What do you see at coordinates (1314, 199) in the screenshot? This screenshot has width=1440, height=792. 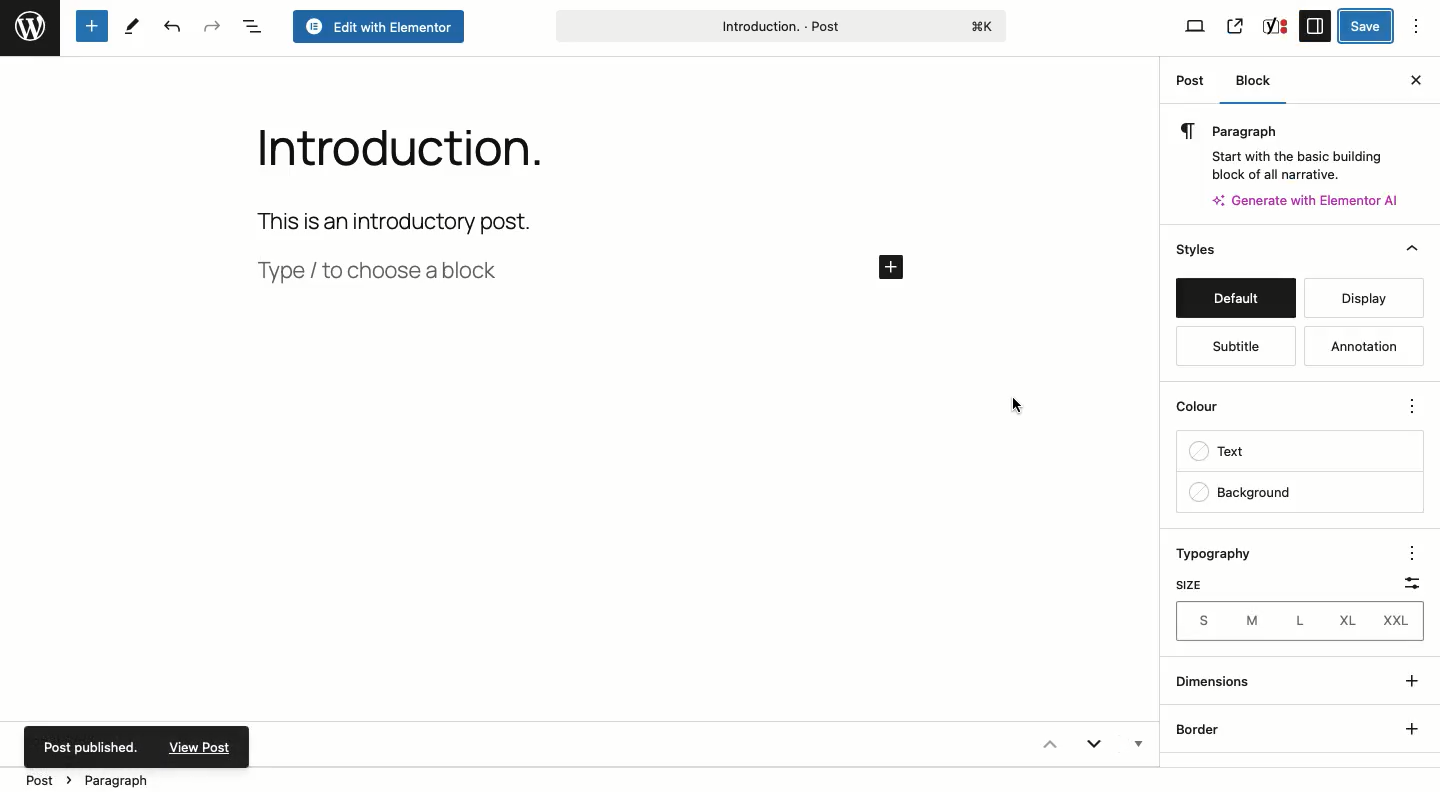 I see `Generate with AI` at bounding box center [1314, 199].